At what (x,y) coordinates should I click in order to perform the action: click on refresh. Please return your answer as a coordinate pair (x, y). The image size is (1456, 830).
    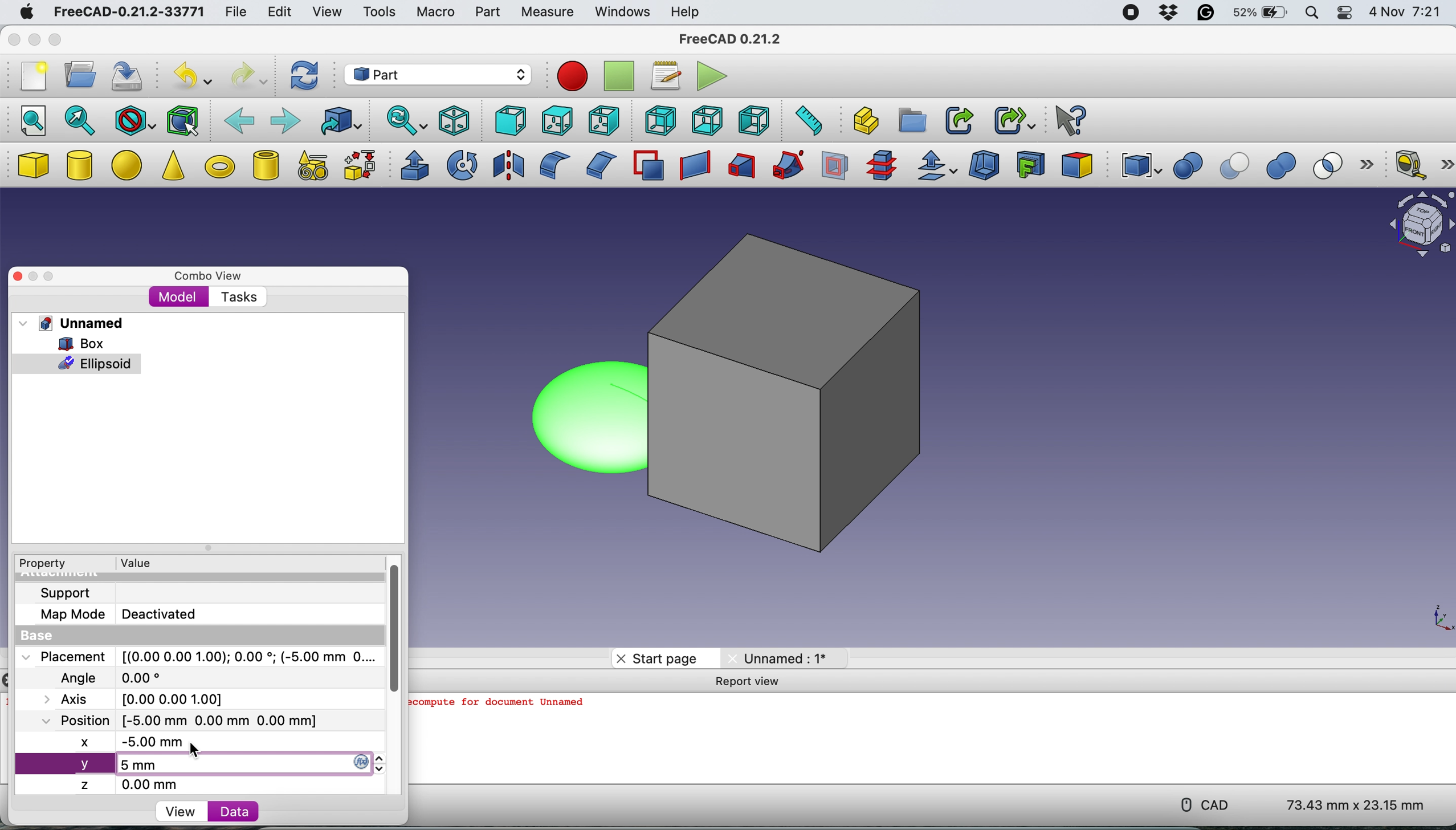
    Looking at the image, I should click on (304, 76).